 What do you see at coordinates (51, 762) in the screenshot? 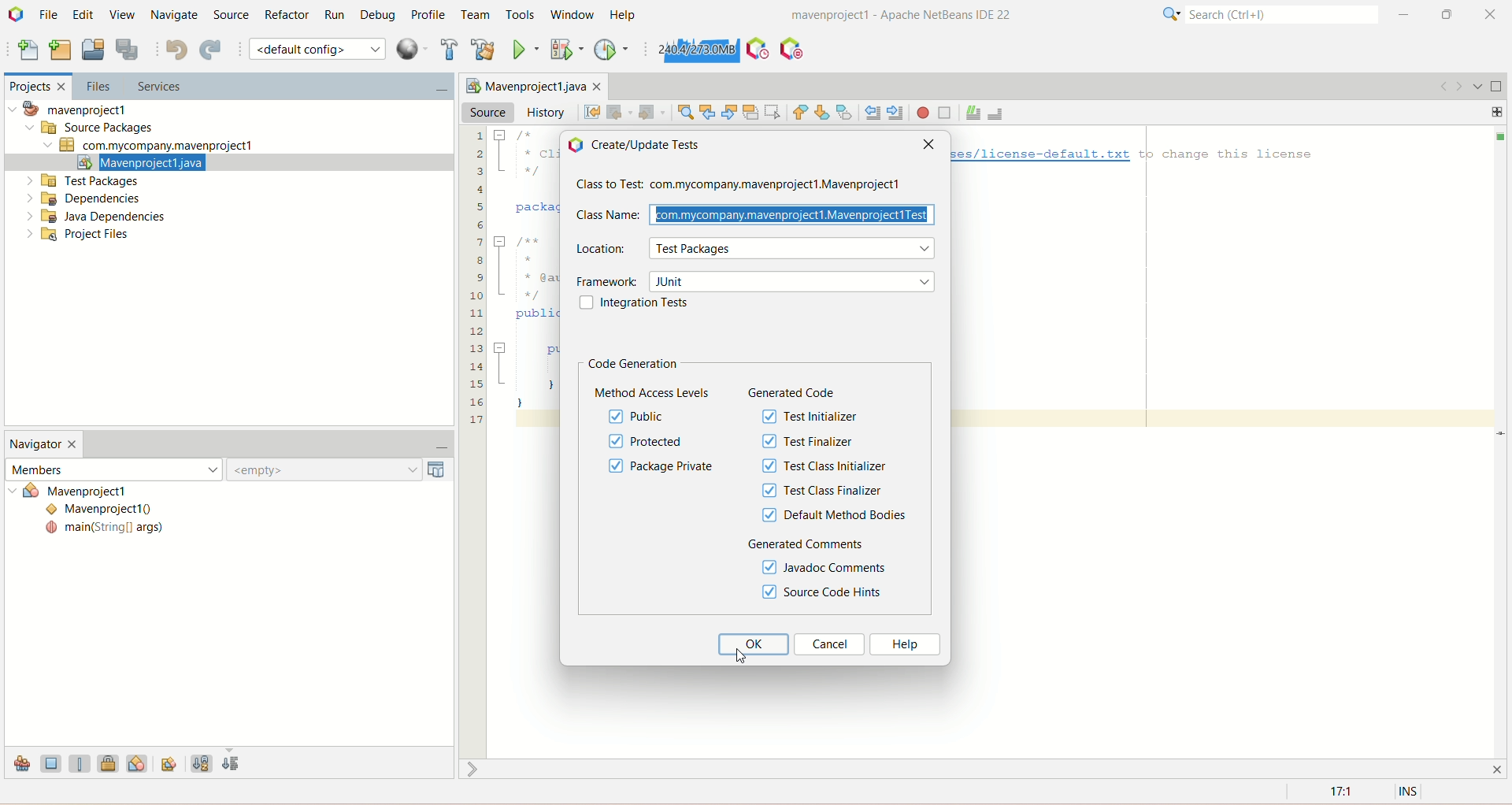
I see `show field` at bounding box center [51, 762].